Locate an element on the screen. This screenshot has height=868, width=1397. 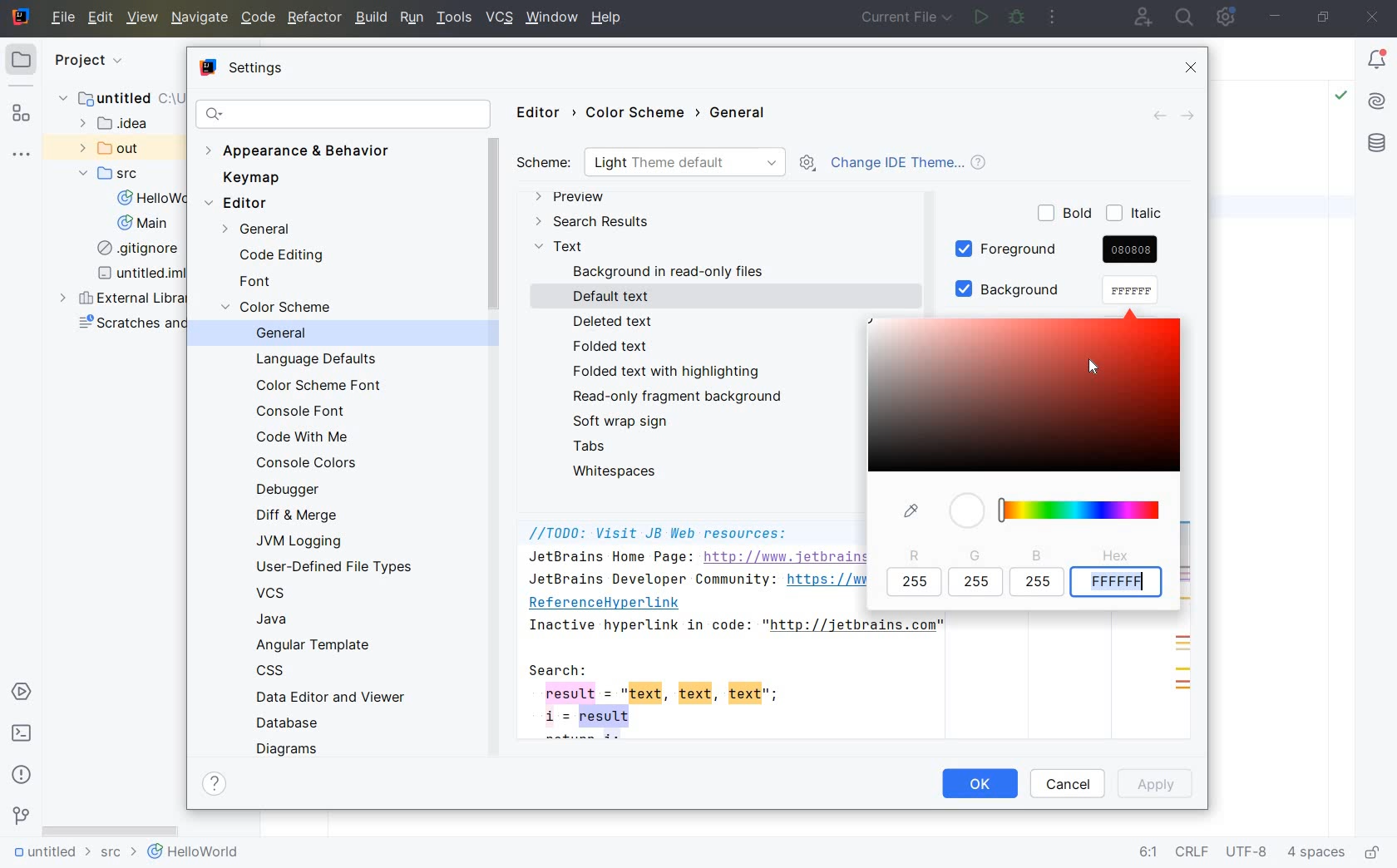
FOLDED TEXT WITH HIGHLIGHTING is located at coordinates (668, 372).